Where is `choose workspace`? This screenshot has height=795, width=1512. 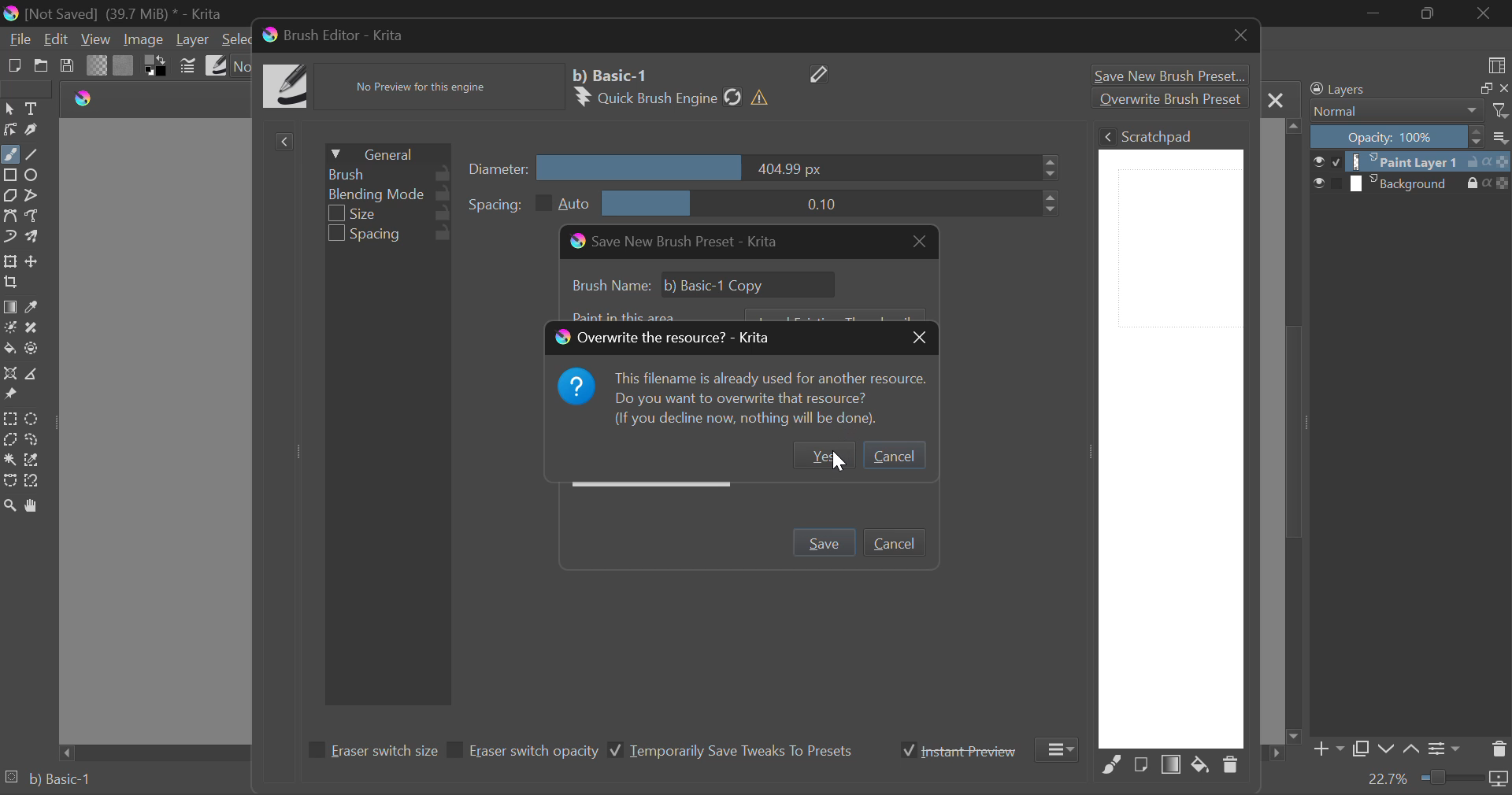 choose workspace is located at coordinates (1487, 64).